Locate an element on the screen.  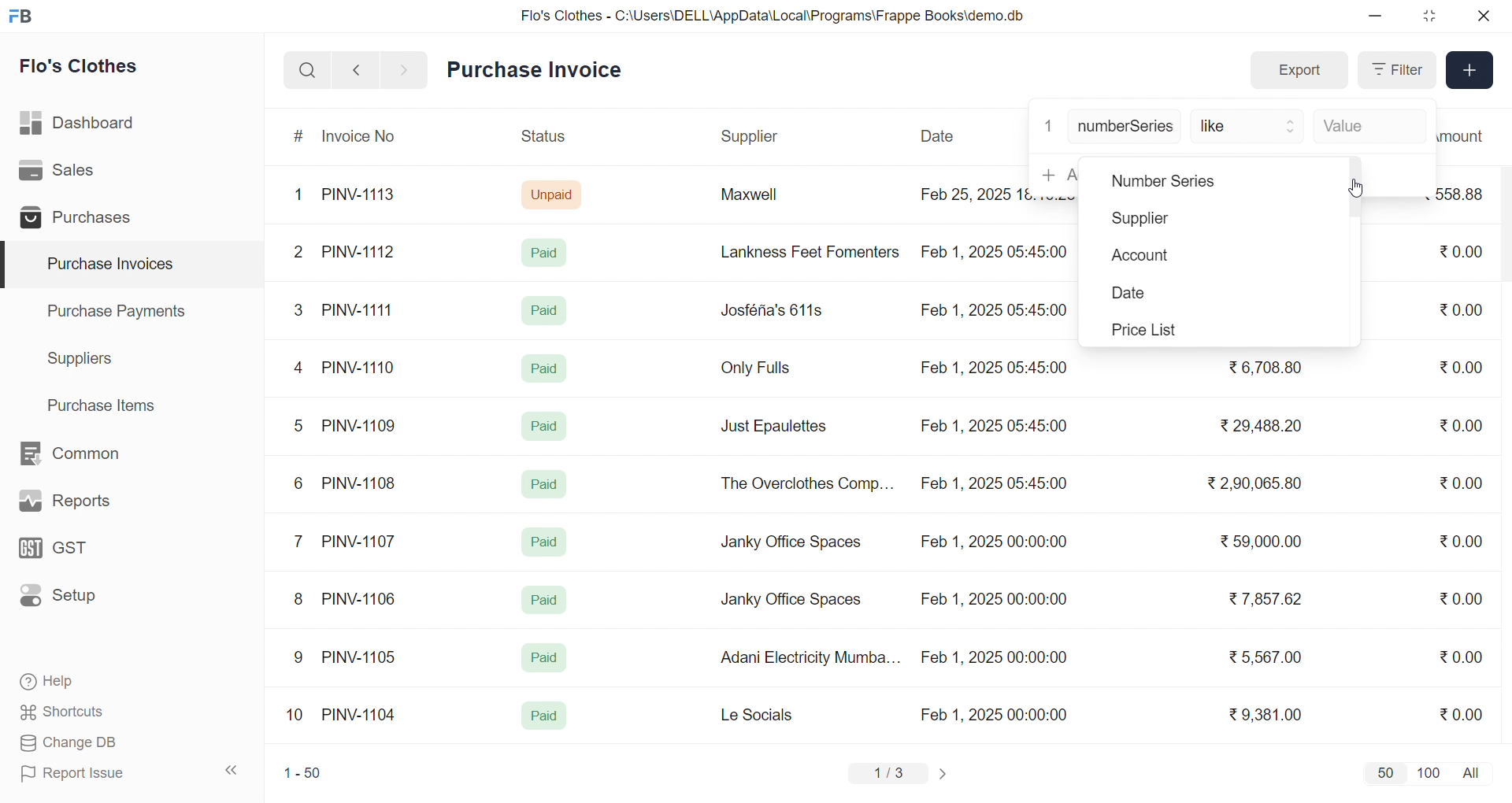
Paid is located at coordinates (545, 600).